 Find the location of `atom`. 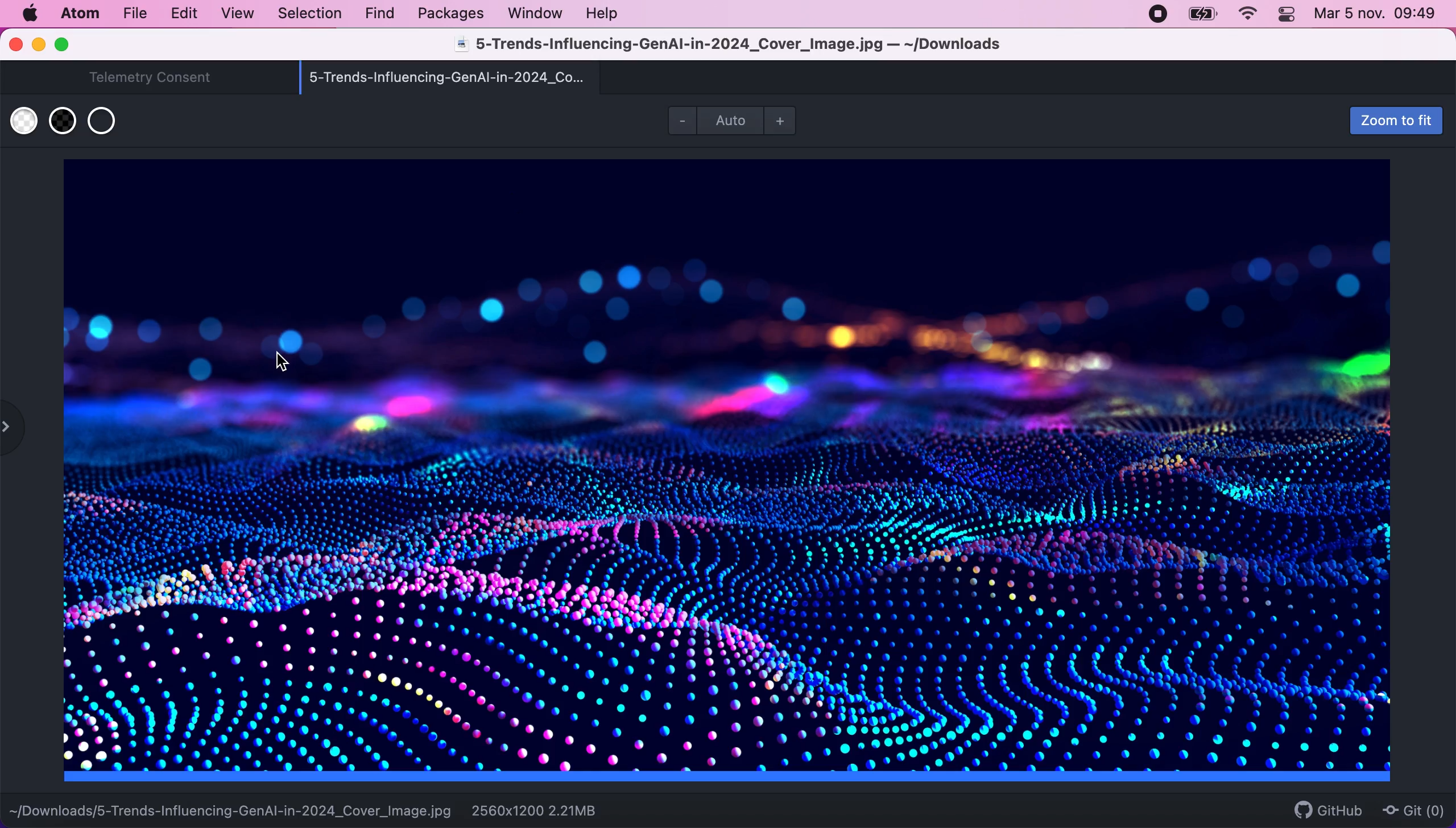

atom is located at coordinates (82, 16).